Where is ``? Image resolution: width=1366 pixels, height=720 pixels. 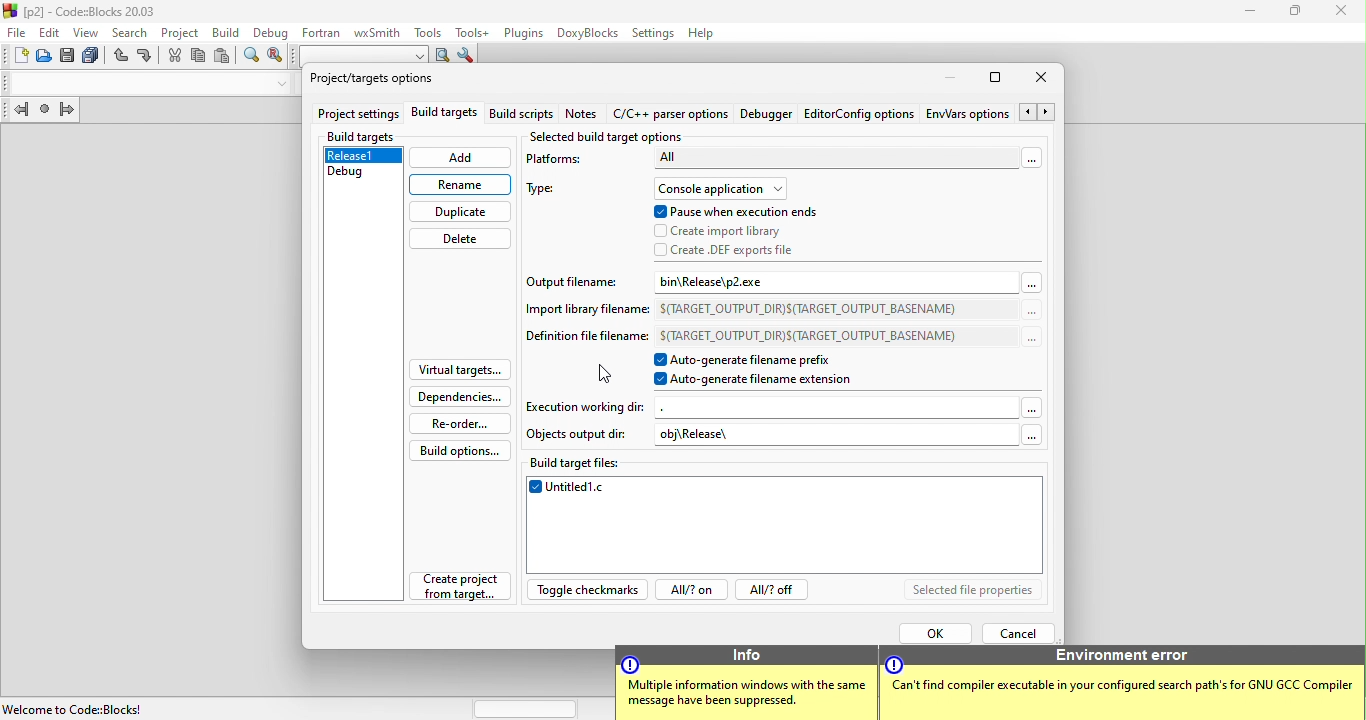
 is located at coordinates (584, 34).